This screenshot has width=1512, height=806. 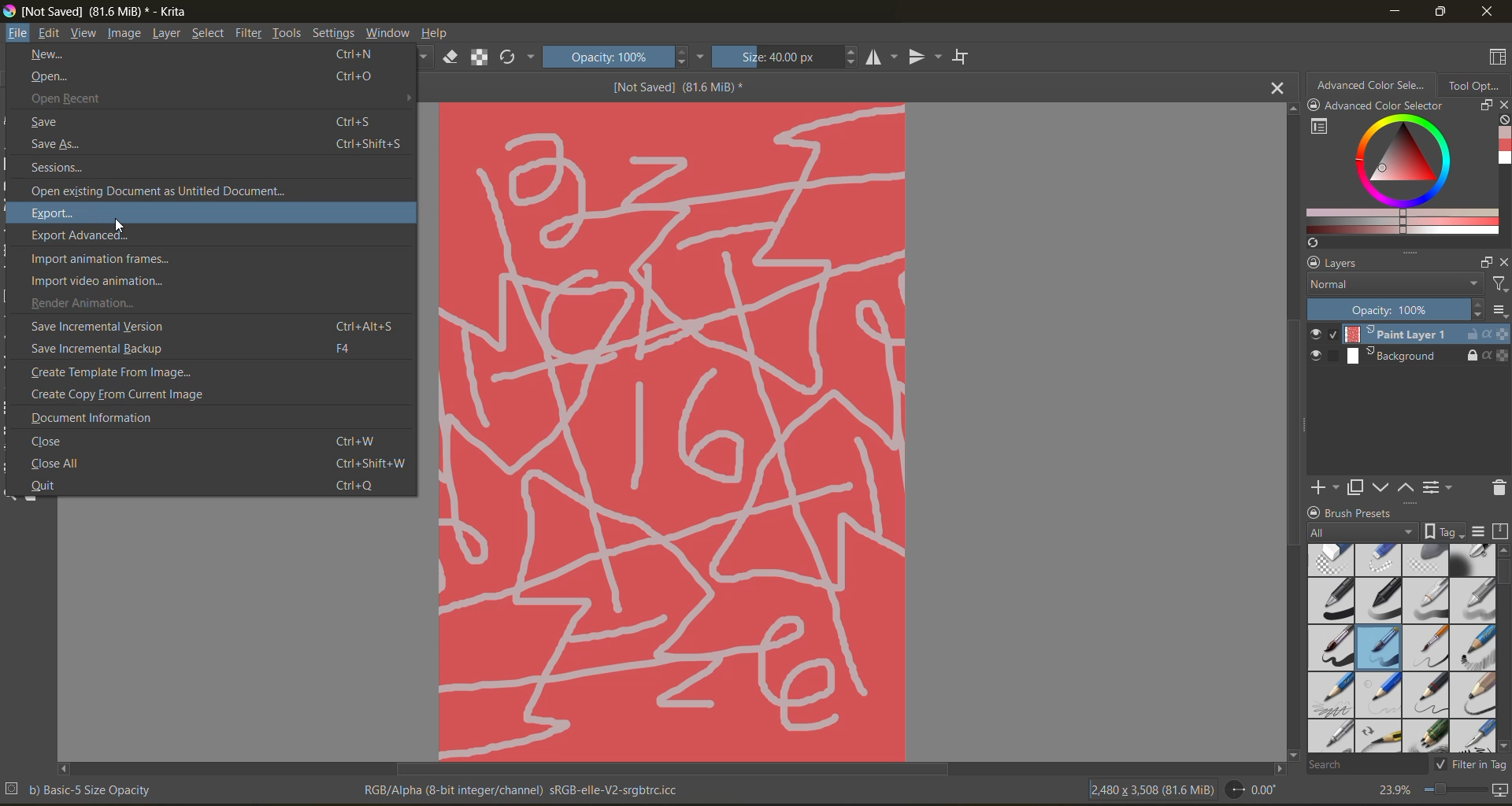 What do you see at coordinates (1251, 789) in the screenshot?
I see `flip angle` at bounding box center [1251, 789].